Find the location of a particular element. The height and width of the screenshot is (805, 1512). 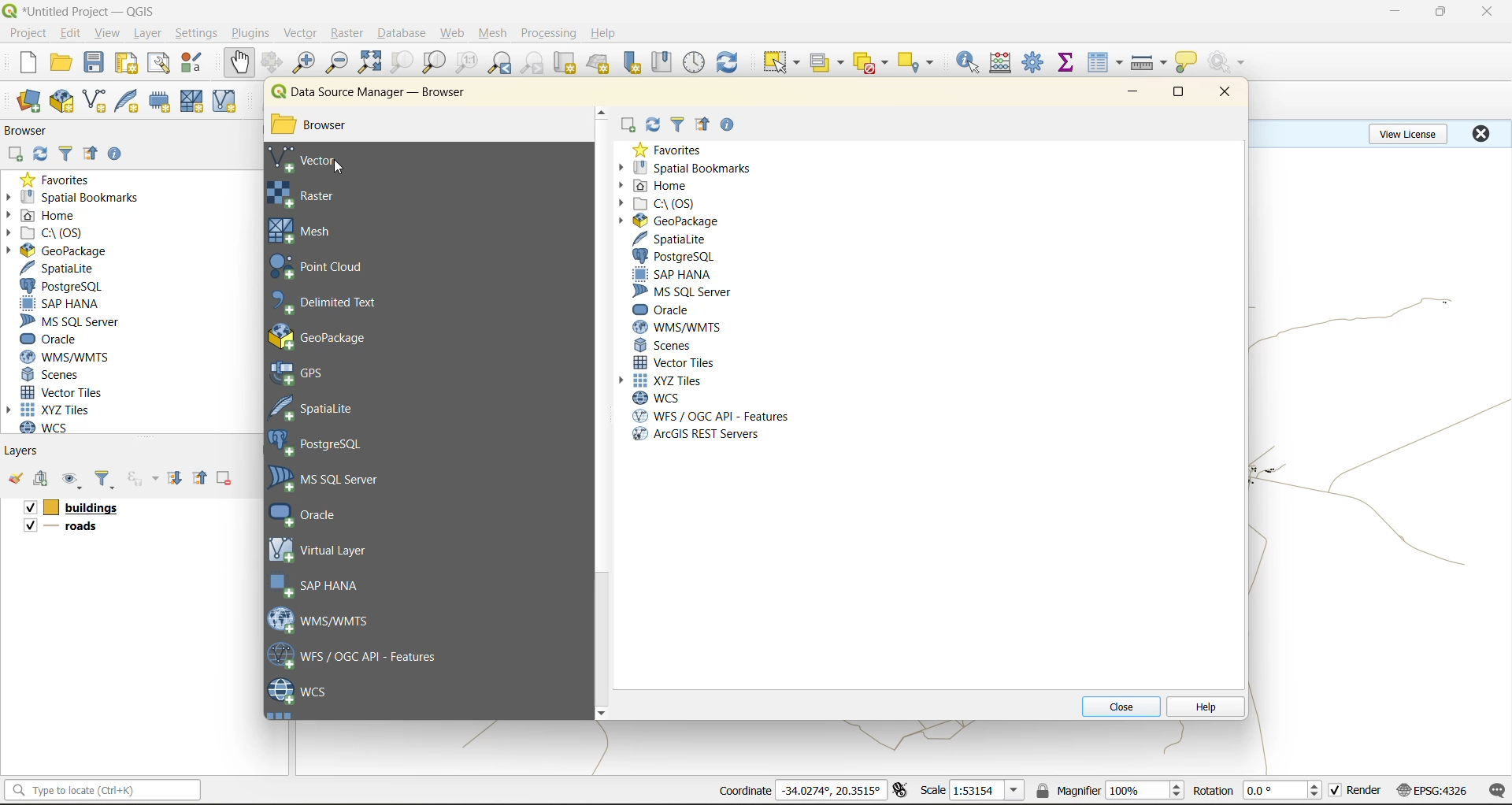

attributes table is located at coordinates (1106, 64).